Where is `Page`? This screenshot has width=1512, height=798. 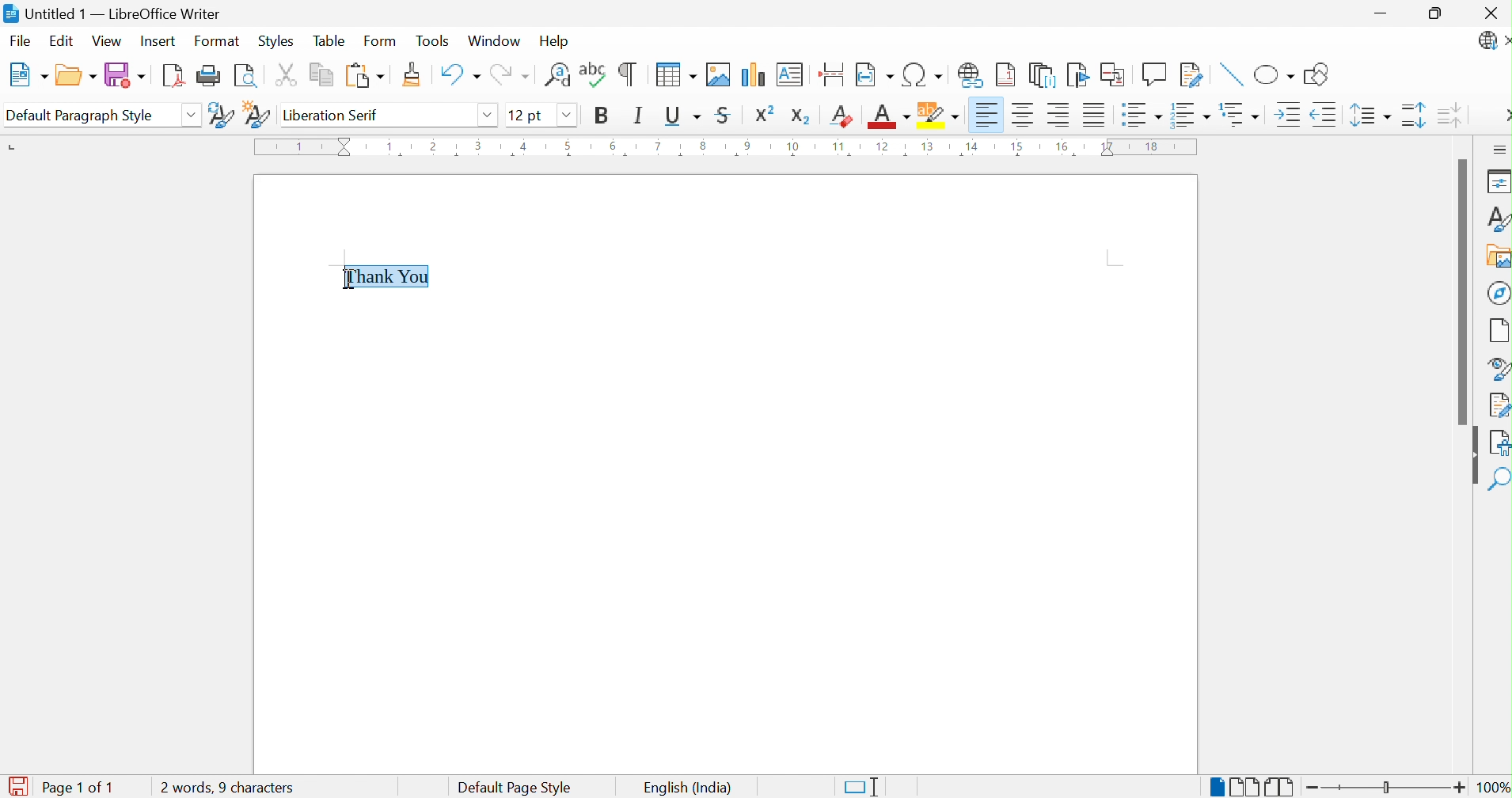 Page is located at coordinates (1498, 330).